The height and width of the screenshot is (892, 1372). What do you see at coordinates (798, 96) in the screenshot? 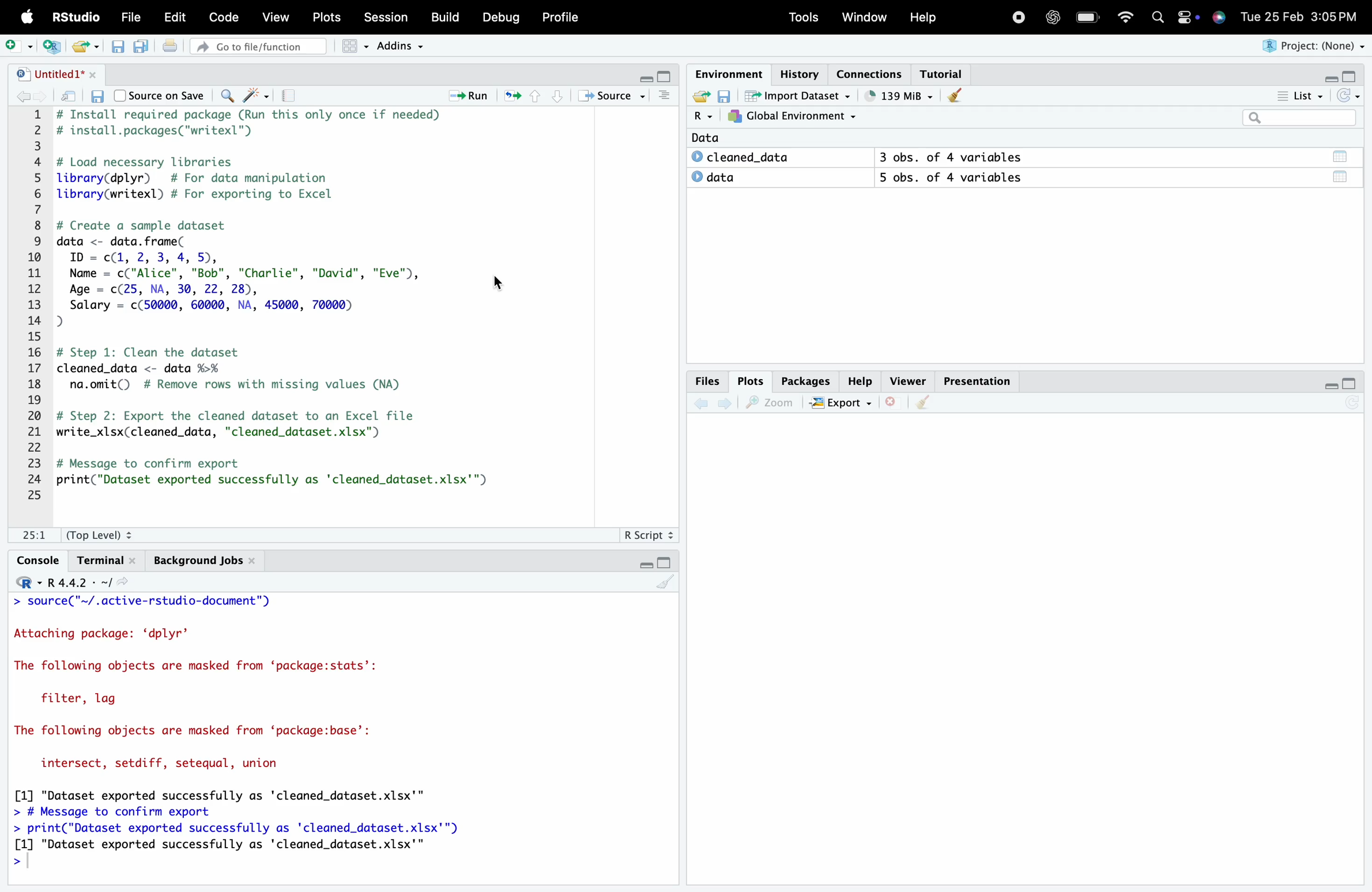
I see `Import Dataset` at bounding box center [798, 96].